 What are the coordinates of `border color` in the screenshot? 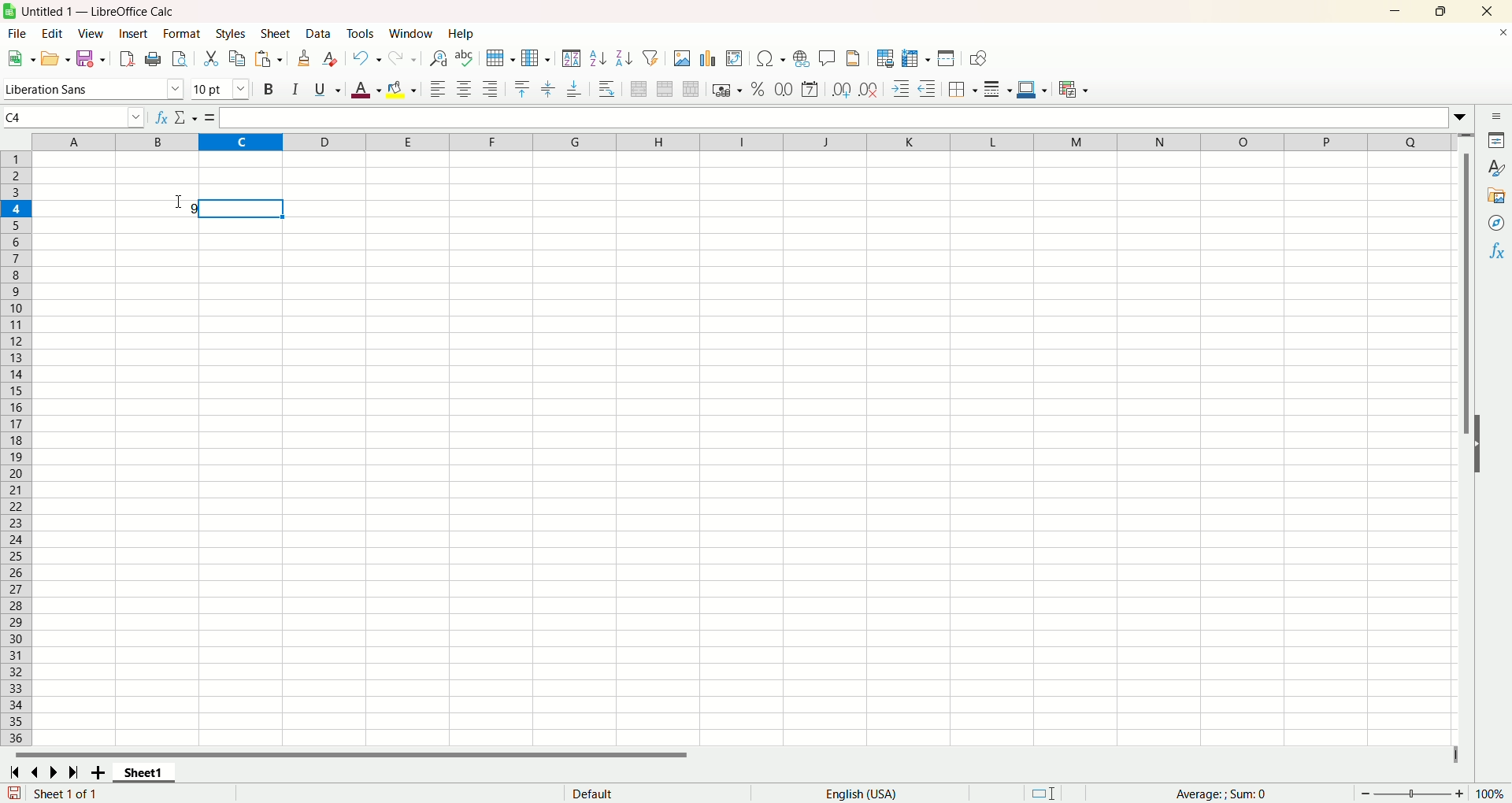 It's located at (1032, 91).